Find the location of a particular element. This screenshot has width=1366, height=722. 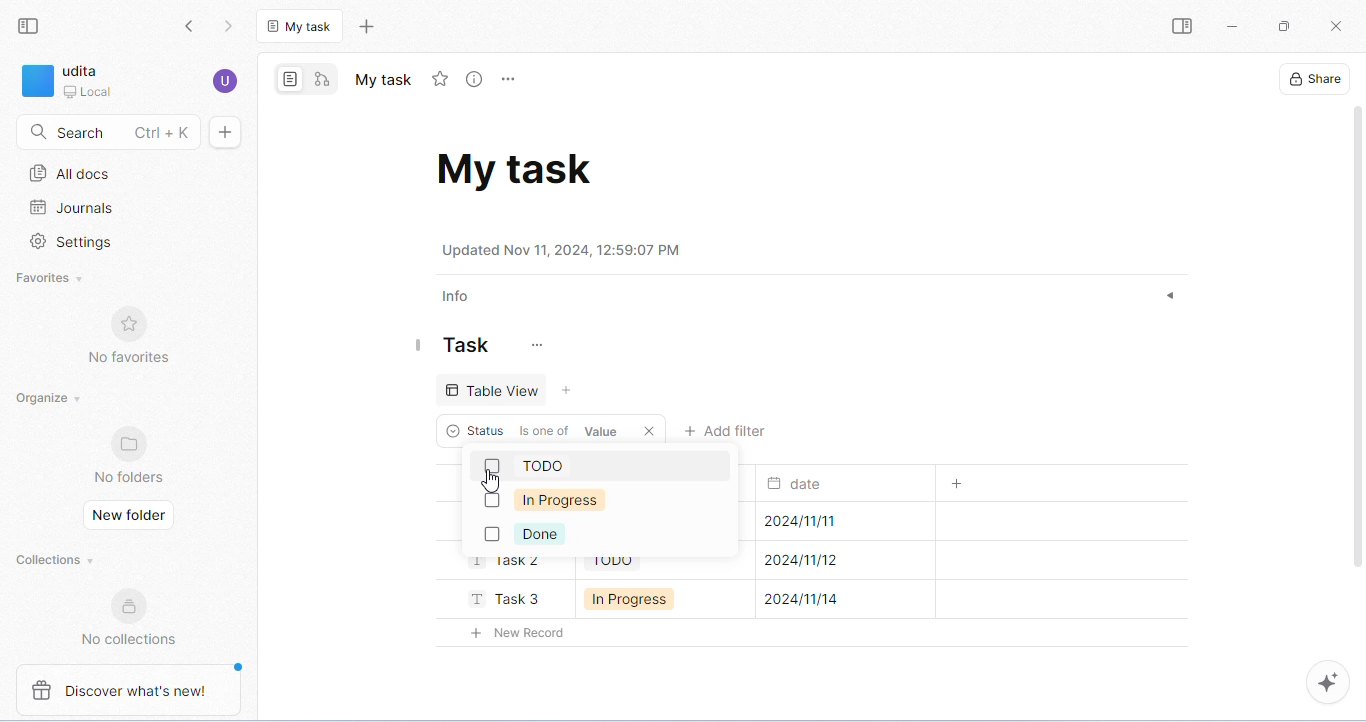

add column is located at coordinates (960, 486).